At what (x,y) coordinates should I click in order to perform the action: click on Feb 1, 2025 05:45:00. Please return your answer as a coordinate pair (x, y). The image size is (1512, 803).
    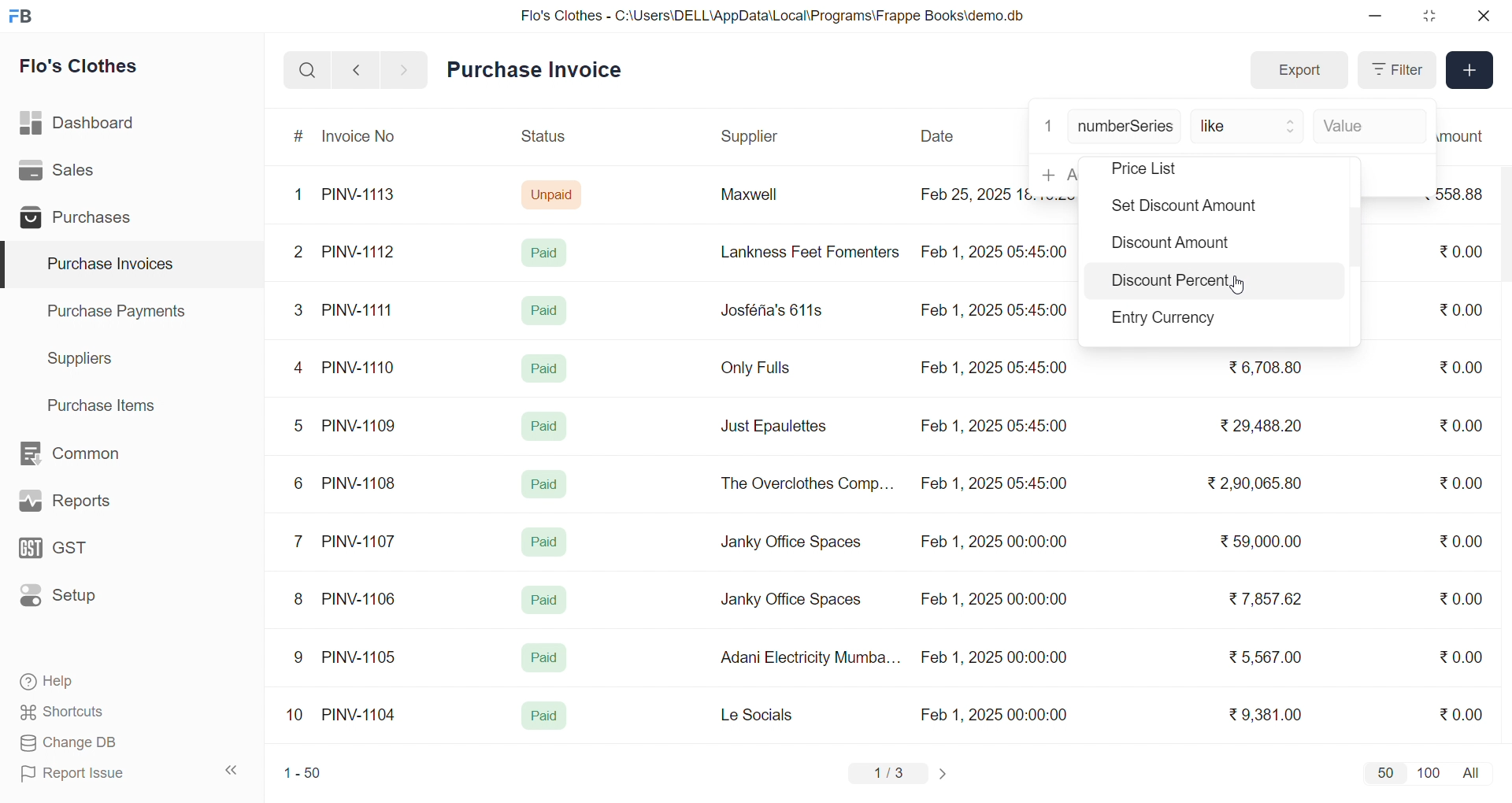
    Looking at the image, I should click on (996, 485).